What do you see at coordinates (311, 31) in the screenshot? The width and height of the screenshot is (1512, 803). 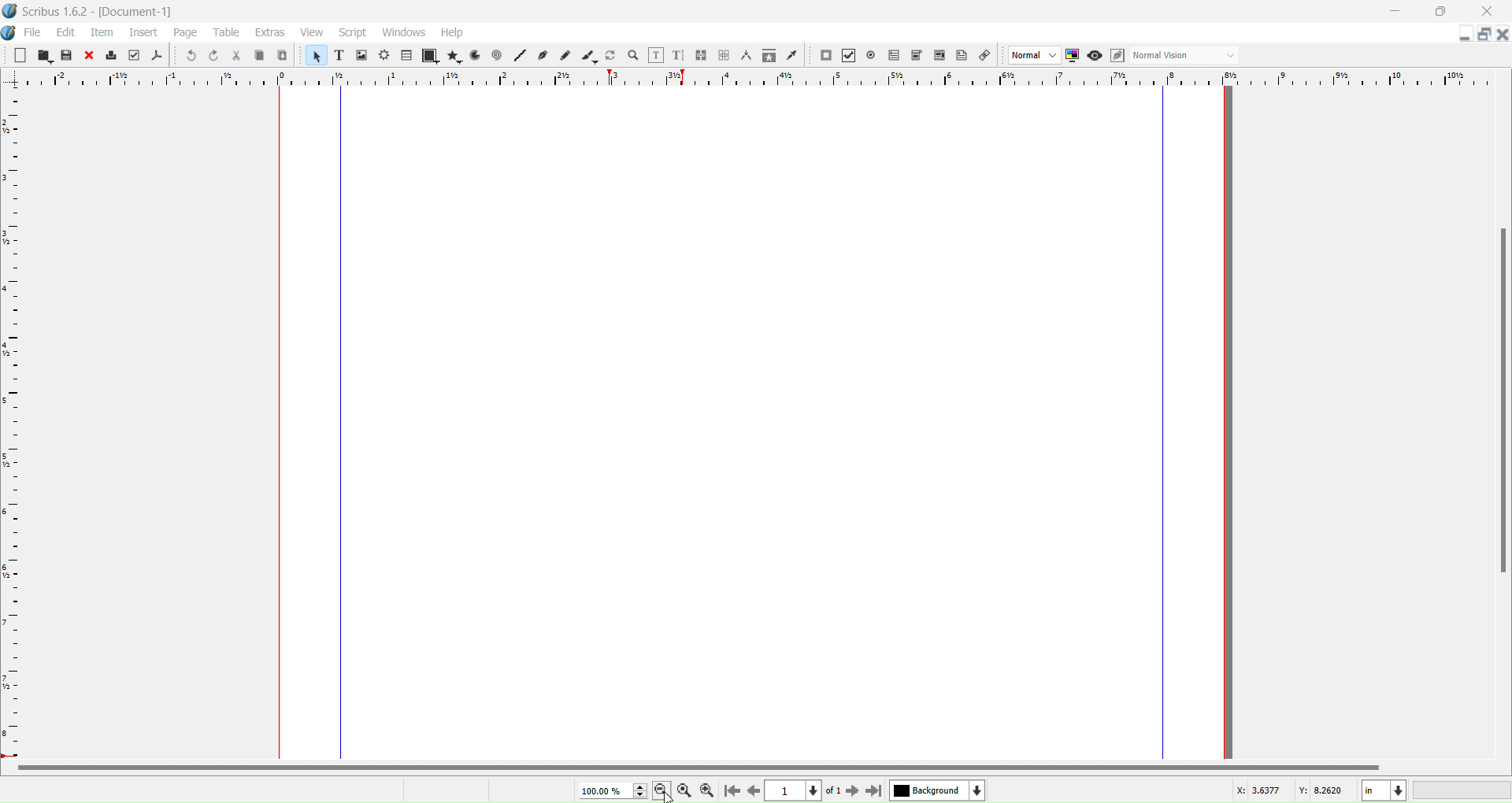 I see `View` at bounding box center [311, 31].